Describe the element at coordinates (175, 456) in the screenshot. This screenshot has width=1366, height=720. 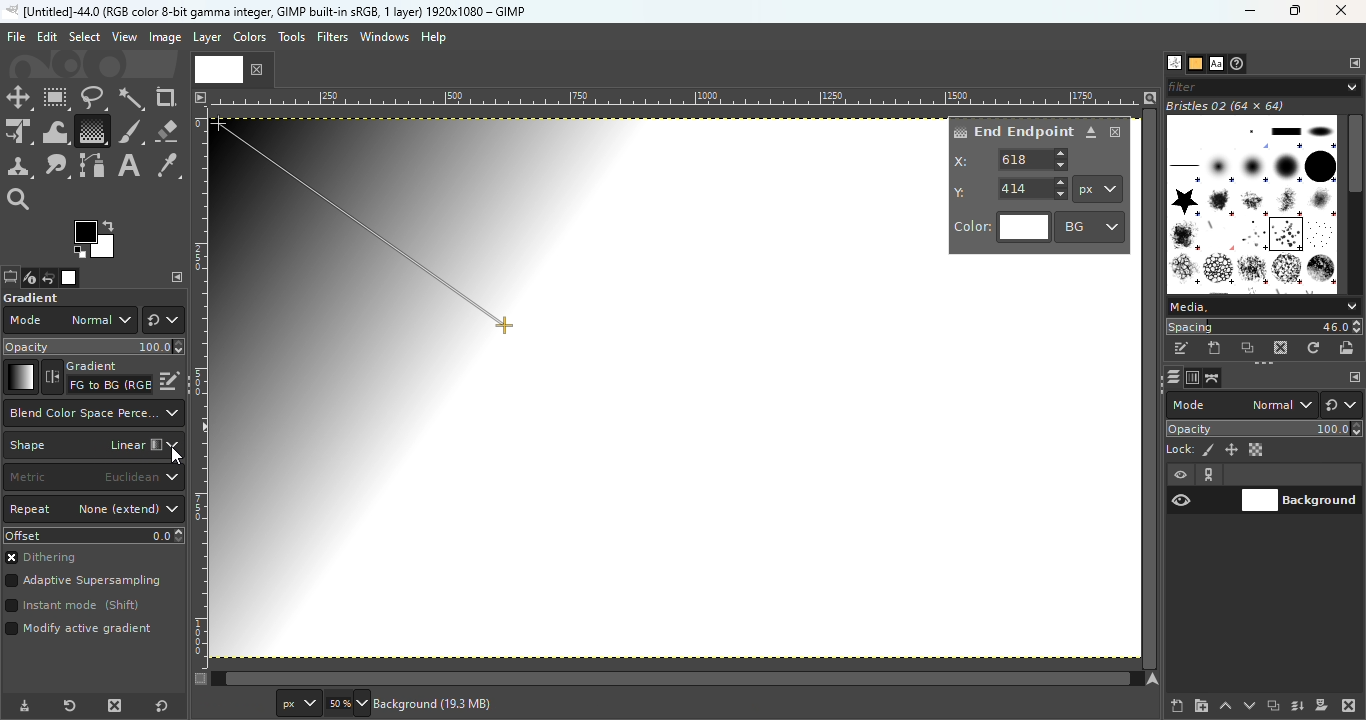
I see `Cursor` at that location.